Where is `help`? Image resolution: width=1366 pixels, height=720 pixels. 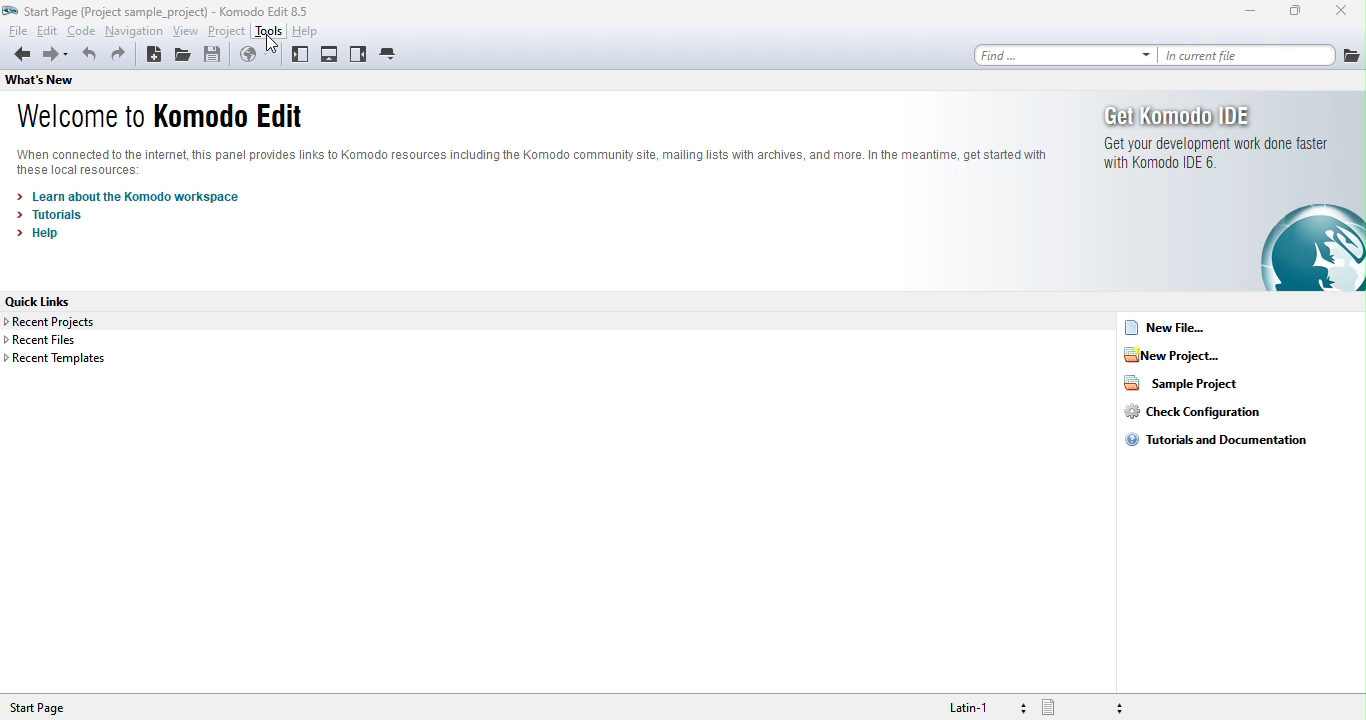
help is located at coordinates (316, 31).